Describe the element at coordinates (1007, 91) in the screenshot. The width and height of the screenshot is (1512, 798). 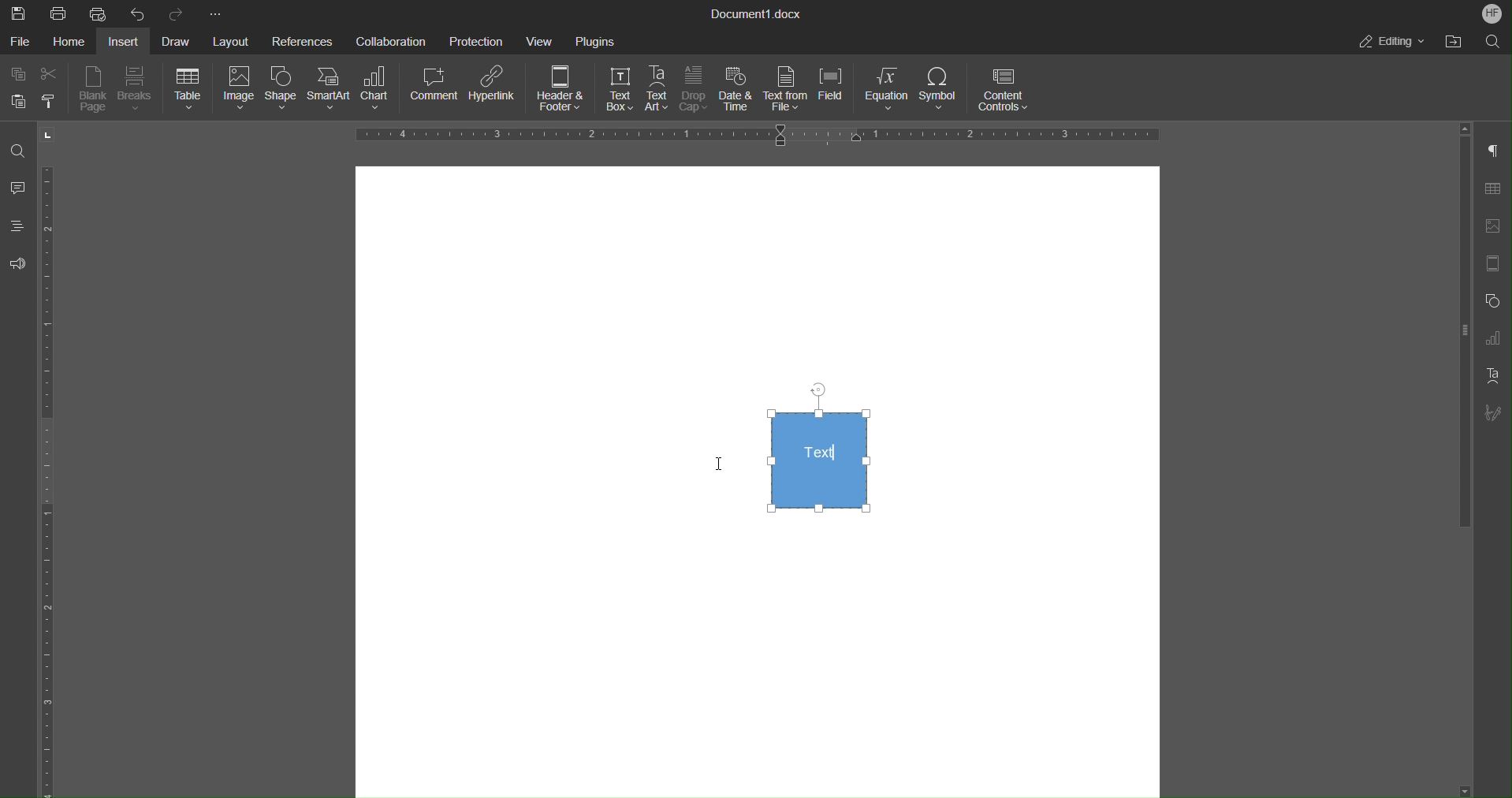
I see `Content Controls` at that location.